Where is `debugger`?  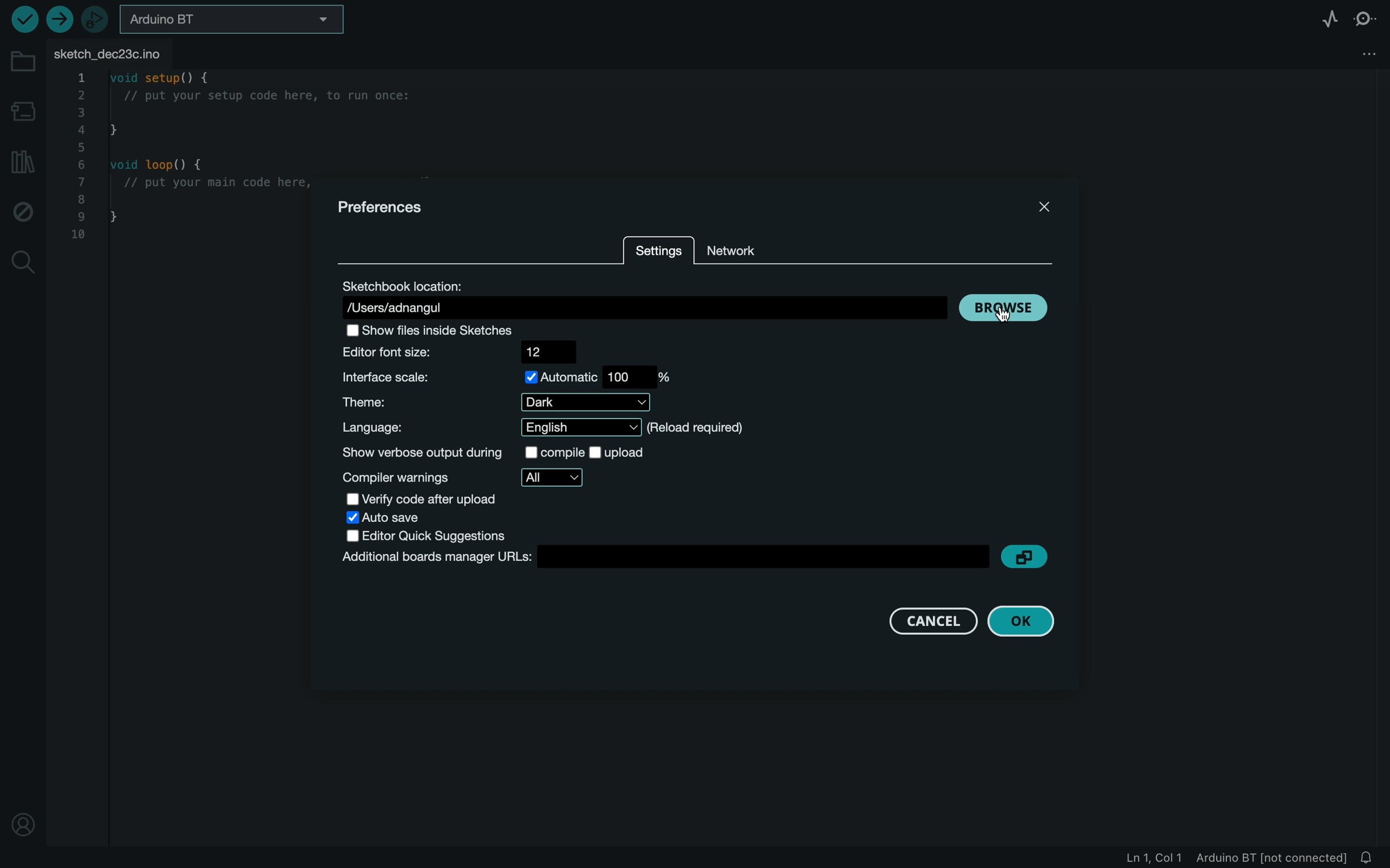 debugger is located at coordinates (24, 211).